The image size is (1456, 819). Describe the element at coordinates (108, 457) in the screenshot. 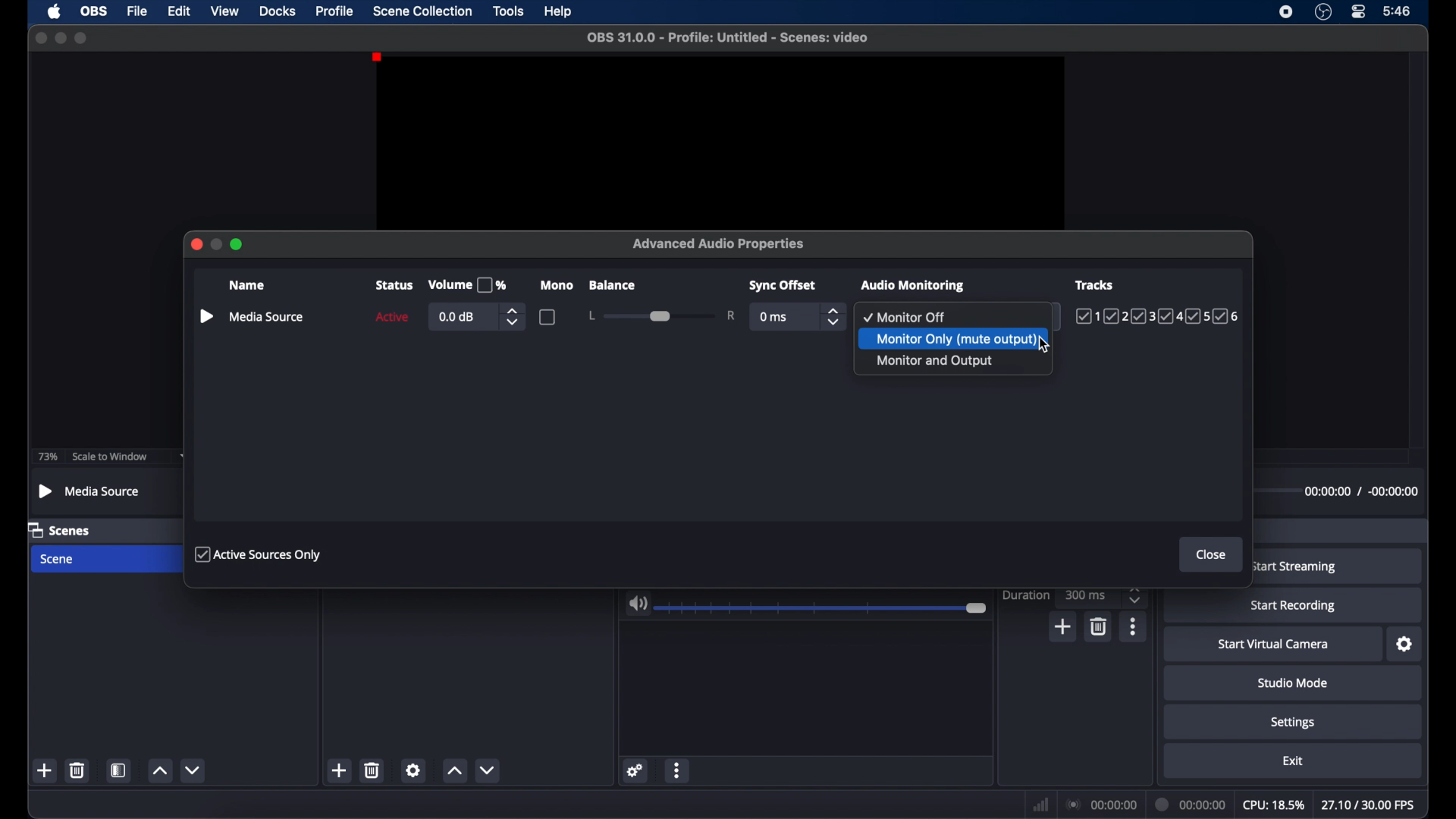

I see `scale to window` at that location.